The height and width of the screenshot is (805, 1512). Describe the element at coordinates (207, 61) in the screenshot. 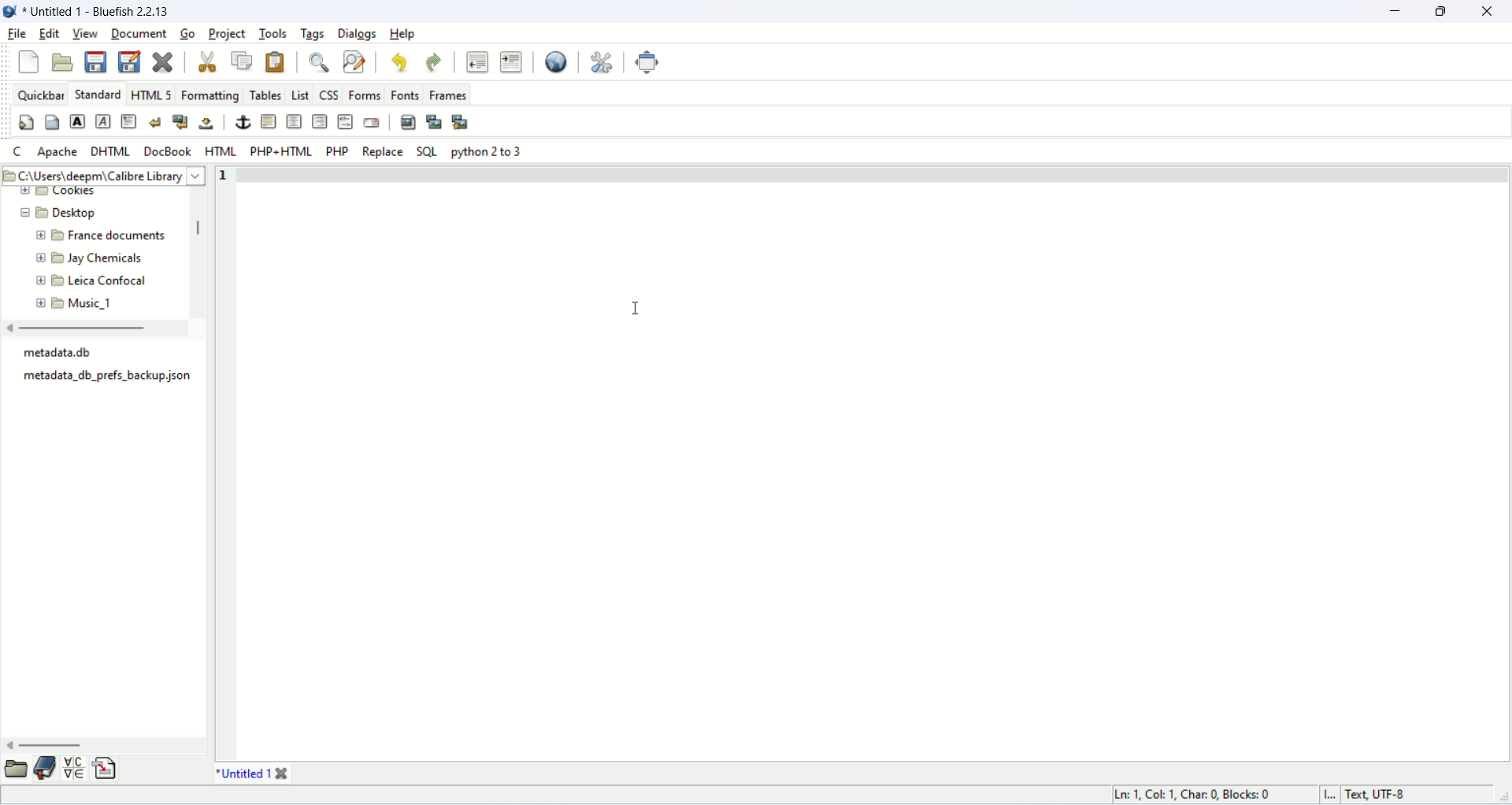

I see `cut` at that location.